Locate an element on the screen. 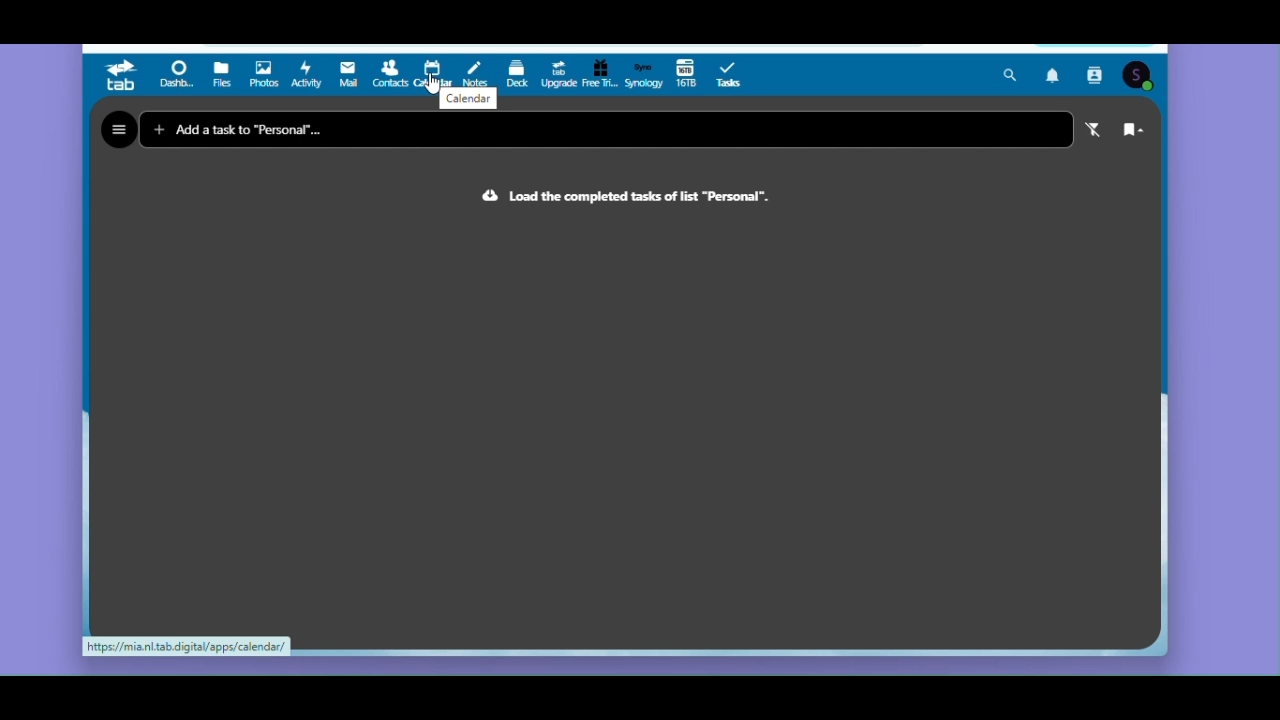 The image size is (1280, 720). Tasks is located at coordinates (734, 74).